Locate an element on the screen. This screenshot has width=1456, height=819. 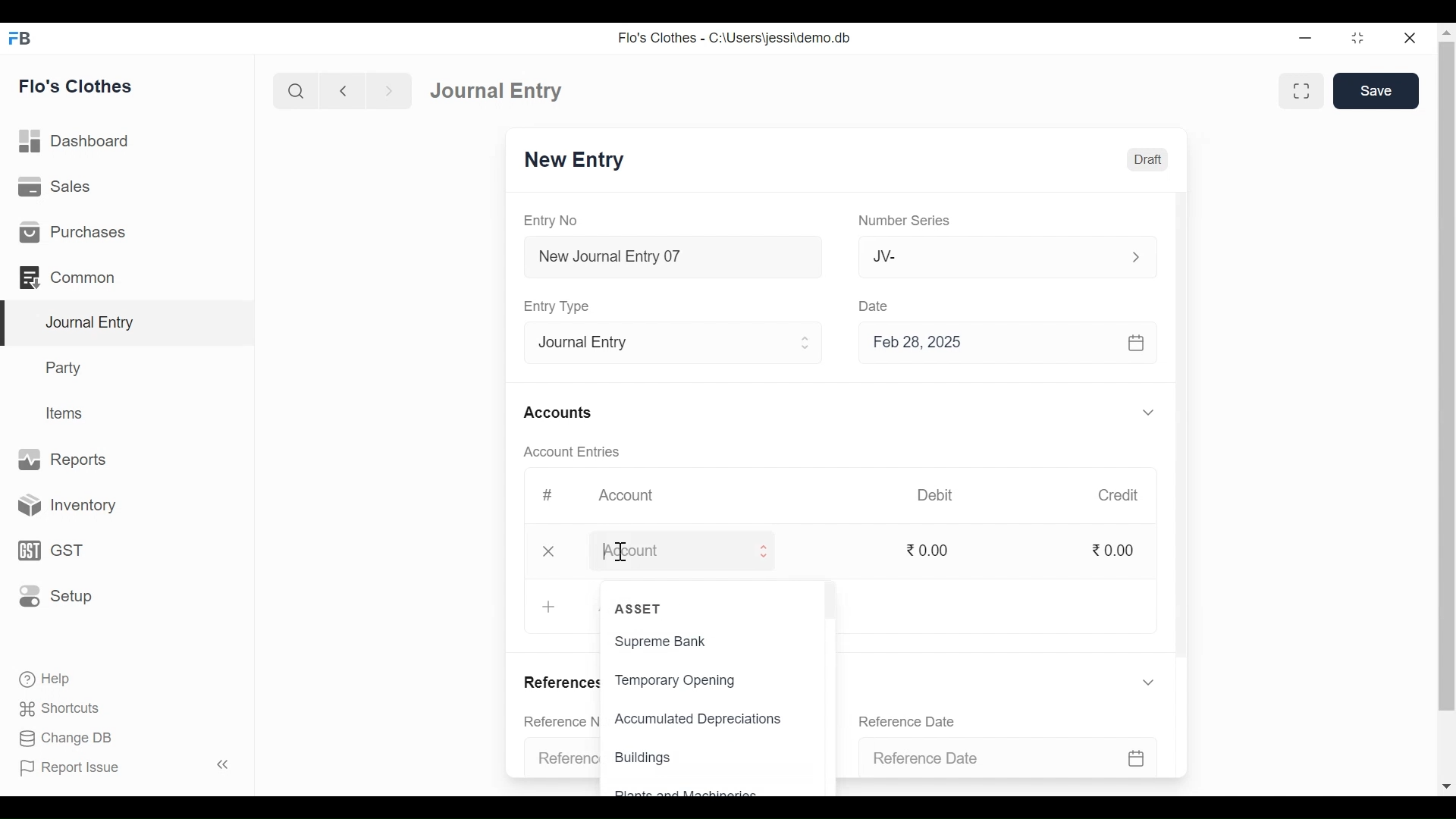
Items is located at coordinates (67, 413).